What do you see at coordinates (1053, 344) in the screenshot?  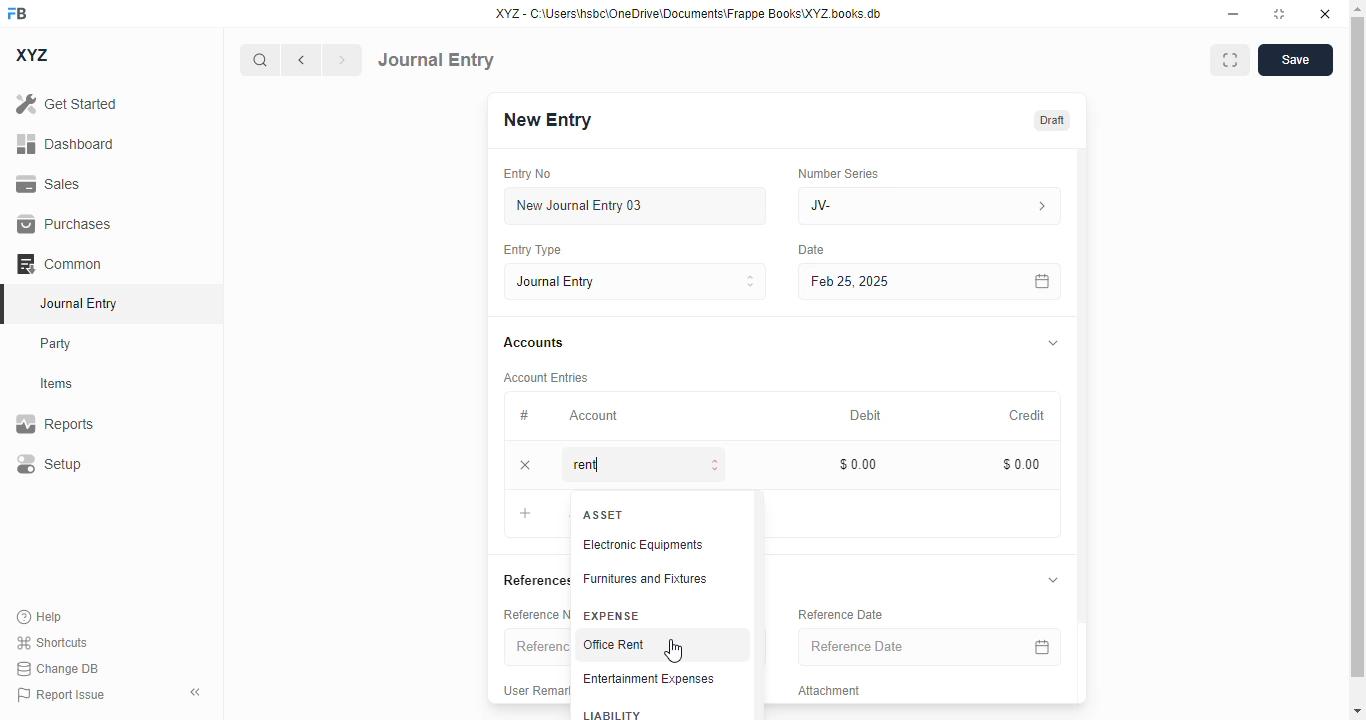 I see `toggle expand/collapse` at bounding box center [1053, 344].